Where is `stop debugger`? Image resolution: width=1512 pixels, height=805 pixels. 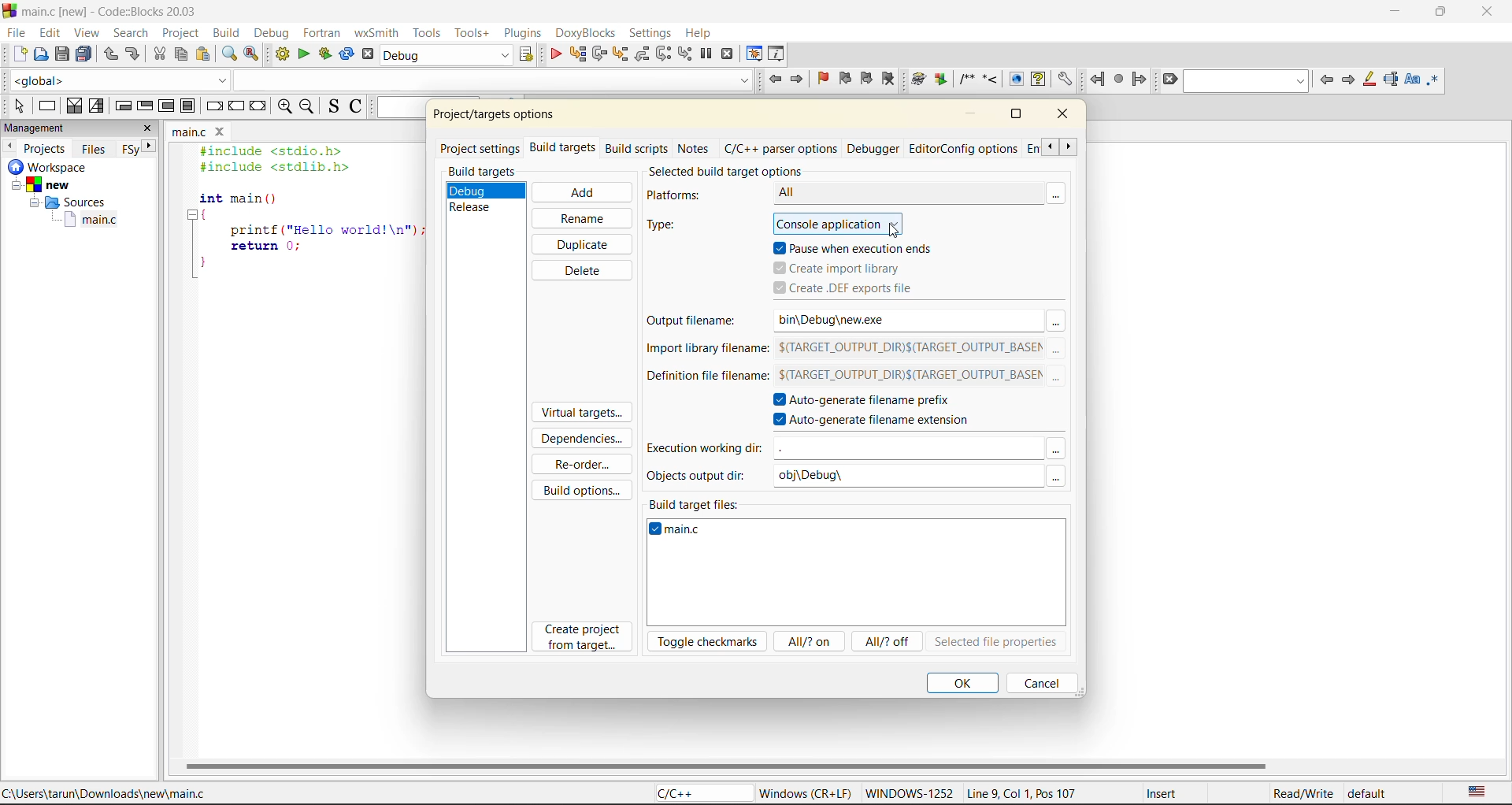
stop debugger is located at coordinates (728, 54).